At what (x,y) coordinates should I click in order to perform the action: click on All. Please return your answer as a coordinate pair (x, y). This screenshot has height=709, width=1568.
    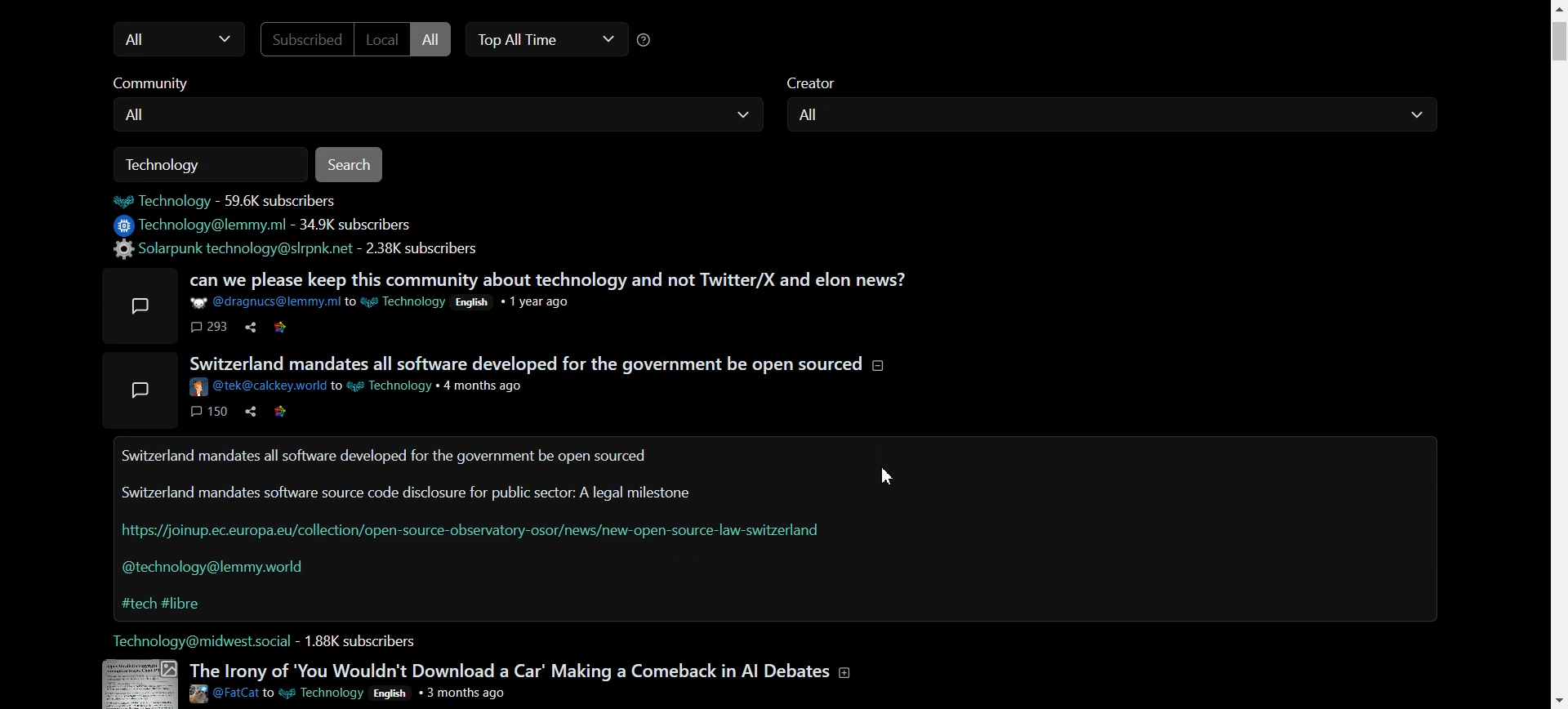
    Looking at the image, I should click on (434, 38).